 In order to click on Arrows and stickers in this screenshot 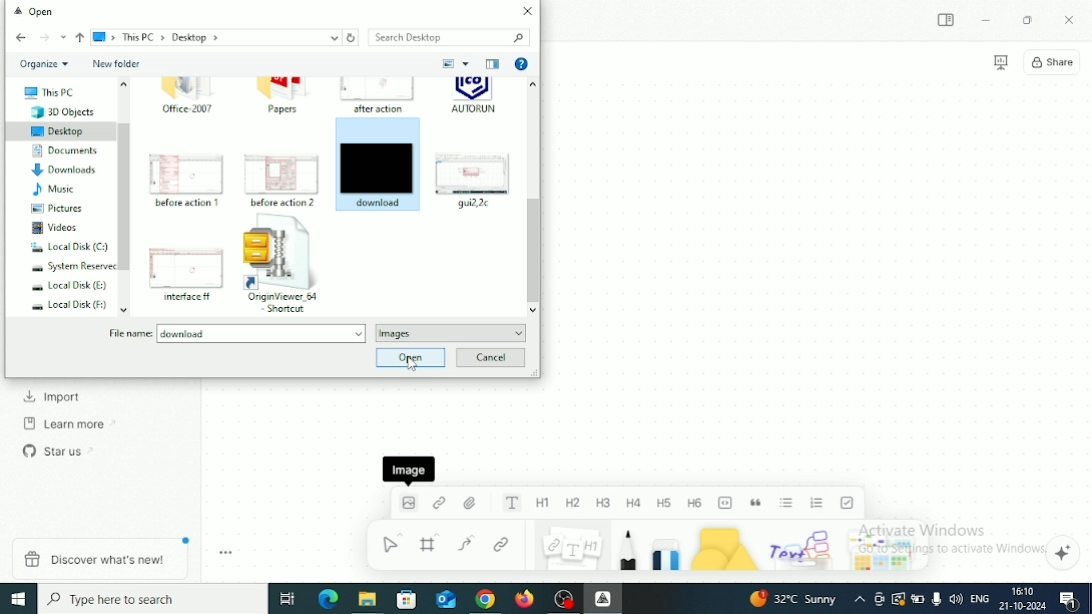, I will do `click(885, 549)`.